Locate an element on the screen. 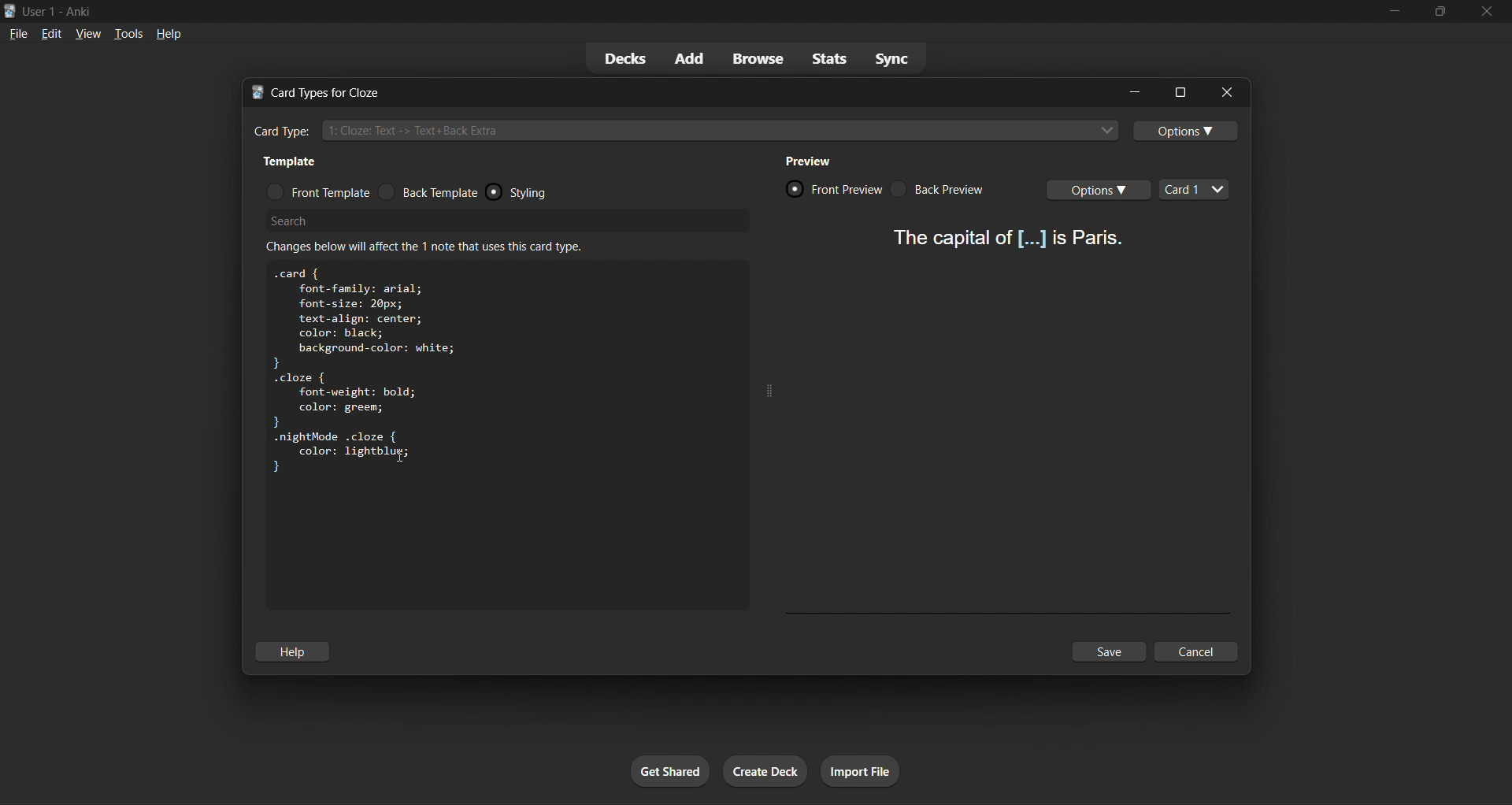  options toggle is located at coordinates (1187, 133).